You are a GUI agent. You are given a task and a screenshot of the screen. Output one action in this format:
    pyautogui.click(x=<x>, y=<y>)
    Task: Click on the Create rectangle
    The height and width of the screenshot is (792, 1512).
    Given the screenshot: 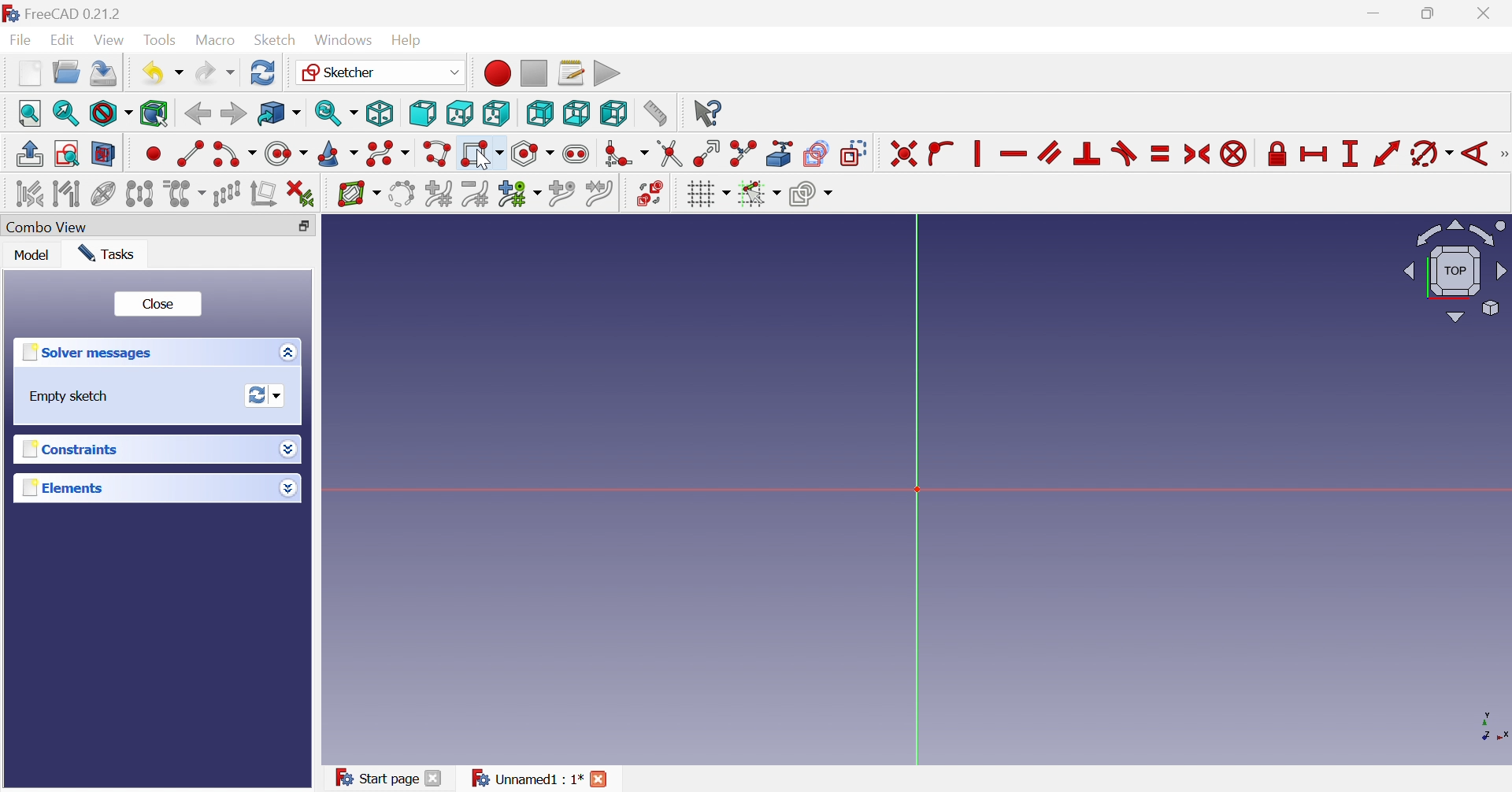 What is the action you would take?
    pyautogui.click(x=481, y=154)
    